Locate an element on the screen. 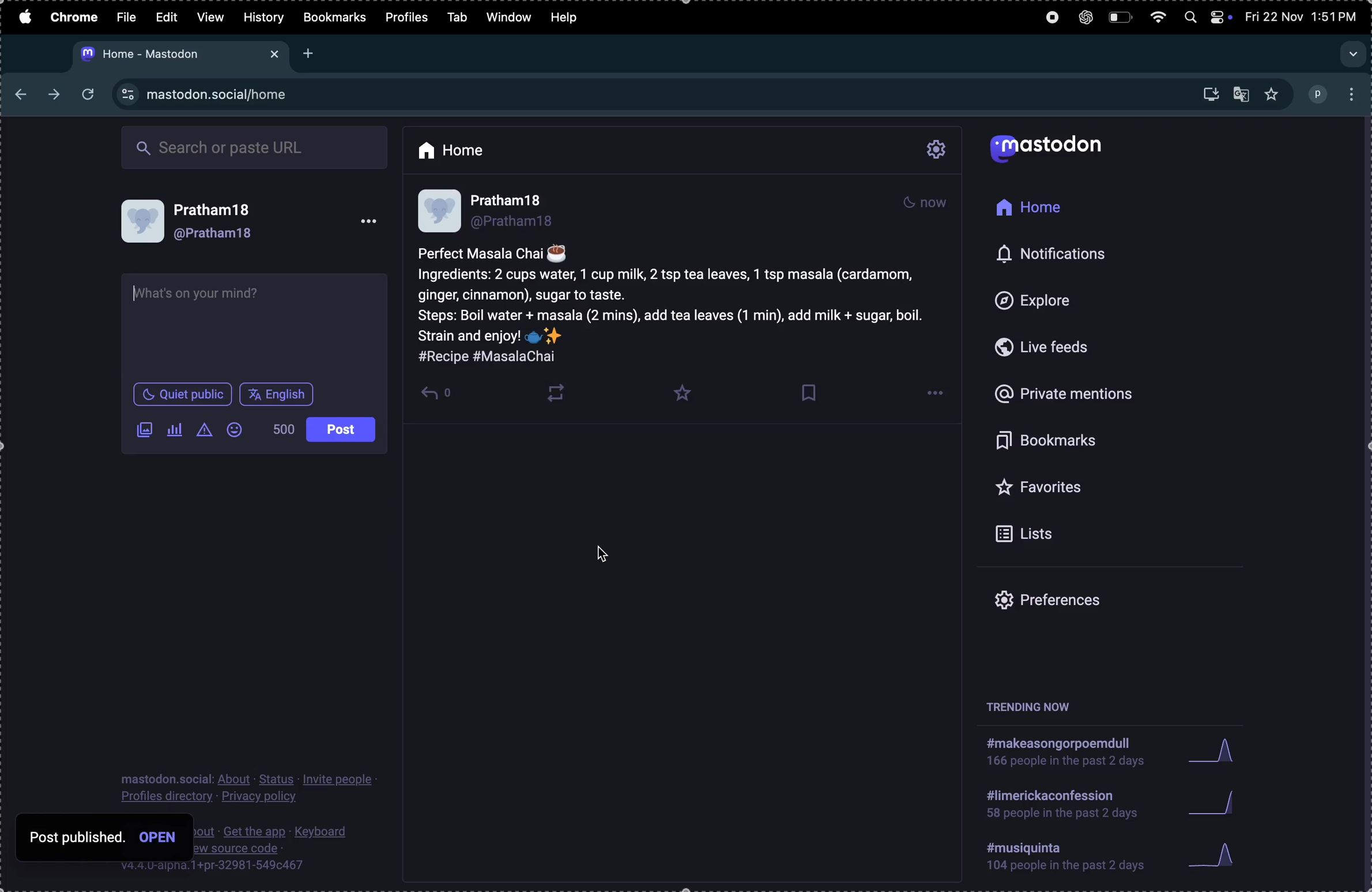 The width and height of the screenshot is (1372, 892). profiles is located at coordinates (405, 17).